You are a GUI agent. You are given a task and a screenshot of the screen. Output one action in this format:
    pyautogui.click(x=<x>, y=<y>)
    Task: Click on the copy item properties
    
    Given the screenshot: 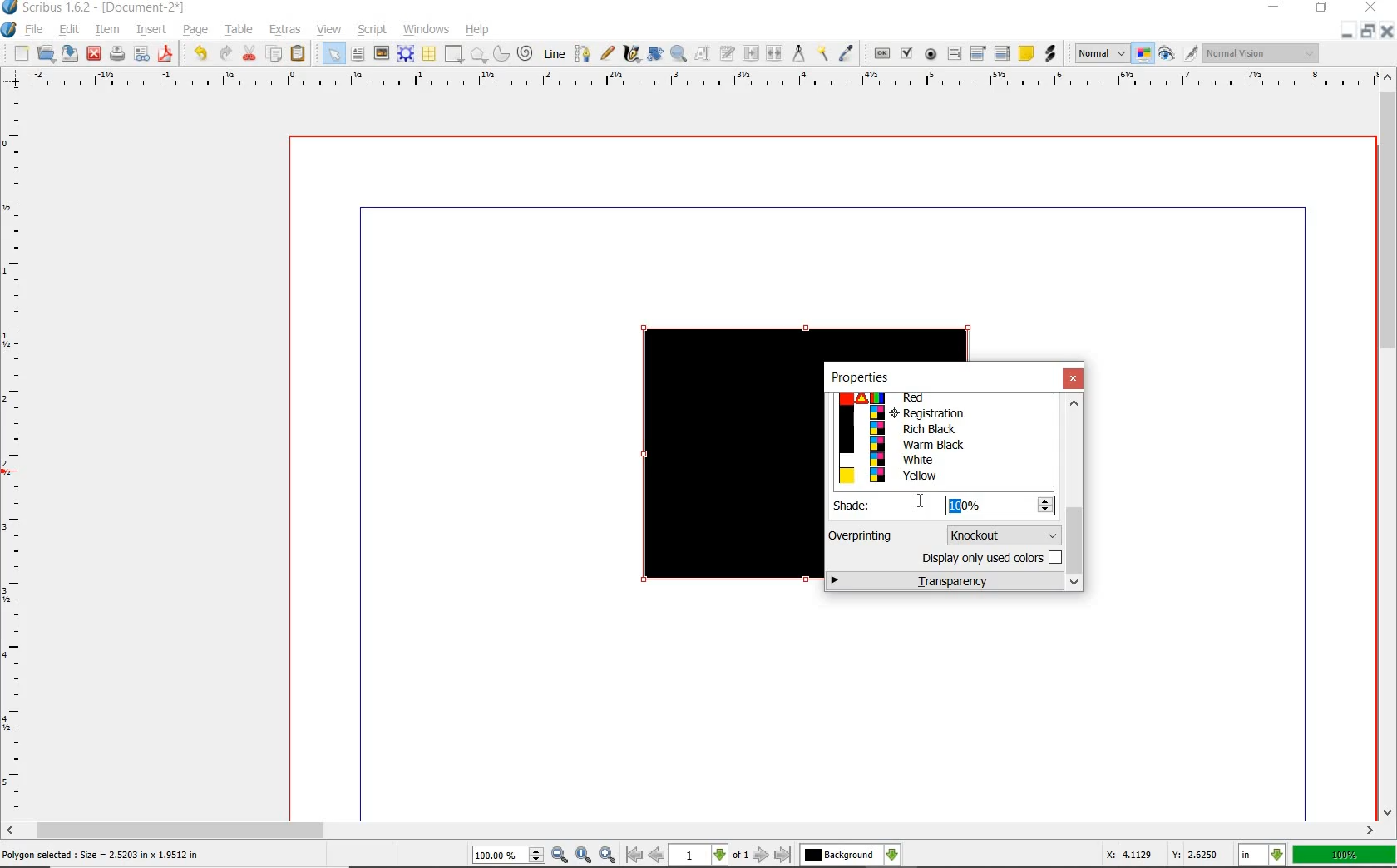 What is the action you would take?
    pyautogui.click(x=822, y=56)
    